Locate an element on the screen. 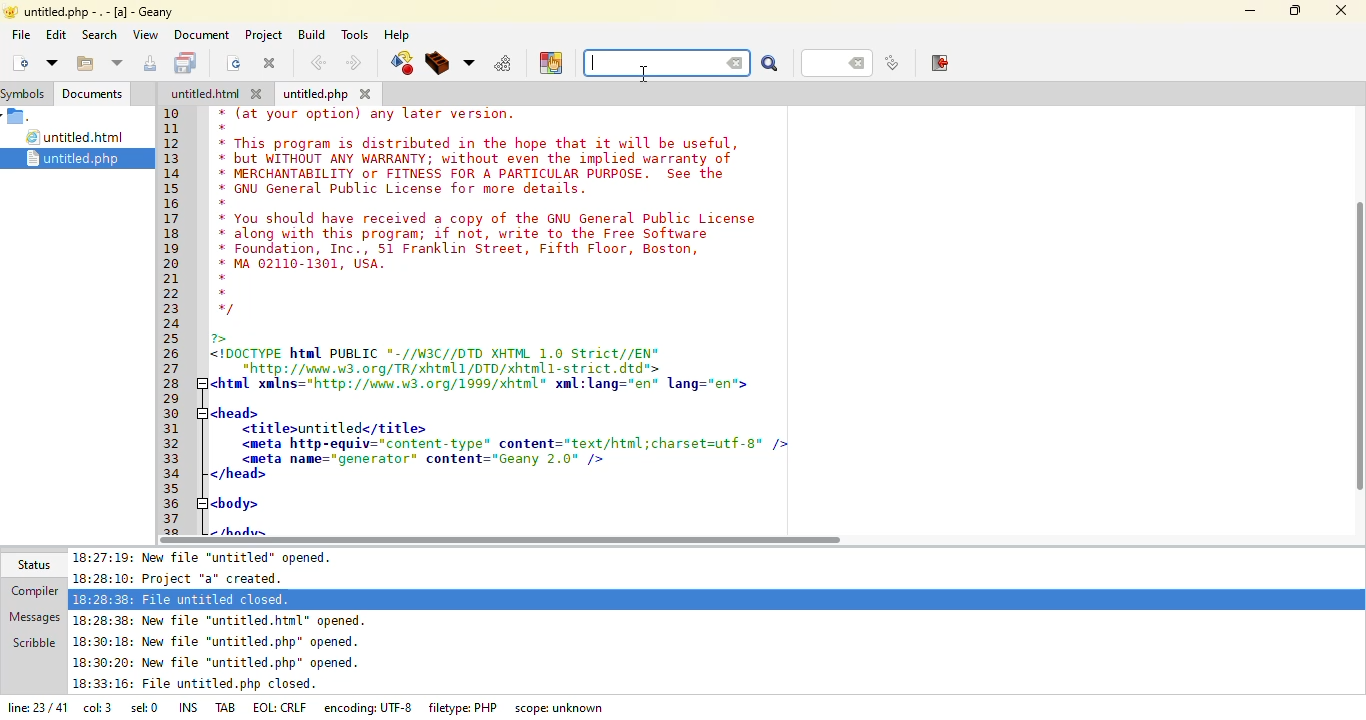 The image size is (1366, 720). build is located at coordinates (309, 34).